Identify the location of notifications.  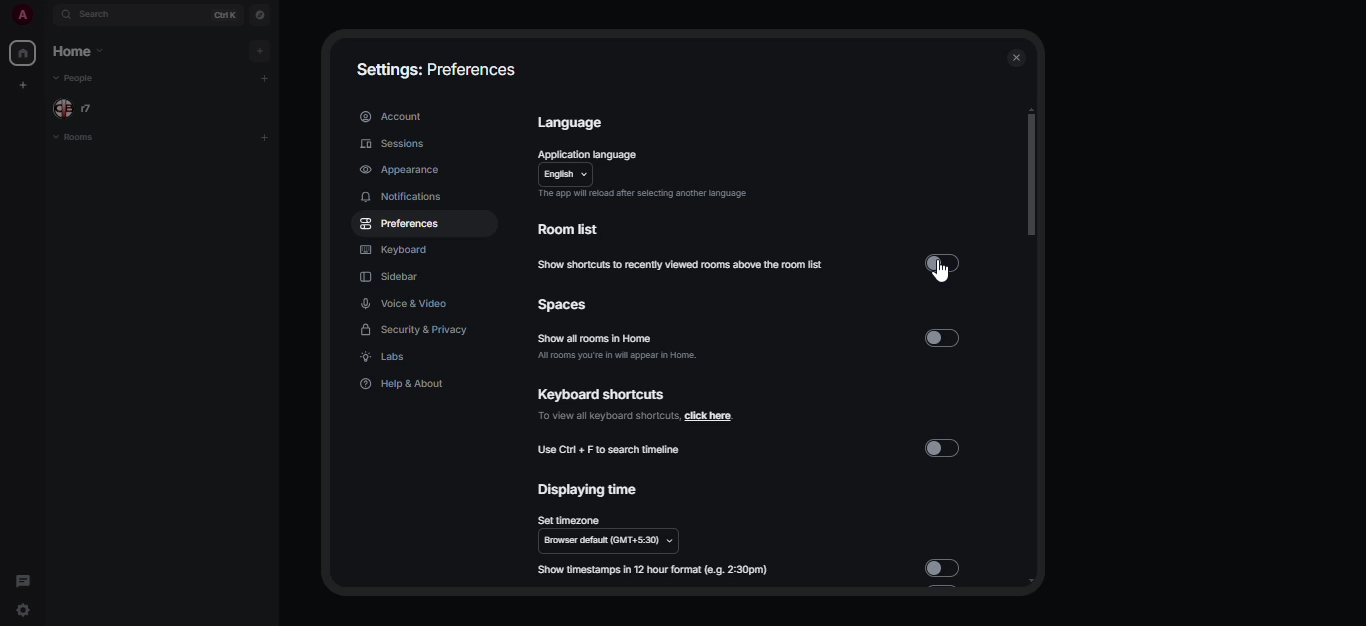
(402, 196).